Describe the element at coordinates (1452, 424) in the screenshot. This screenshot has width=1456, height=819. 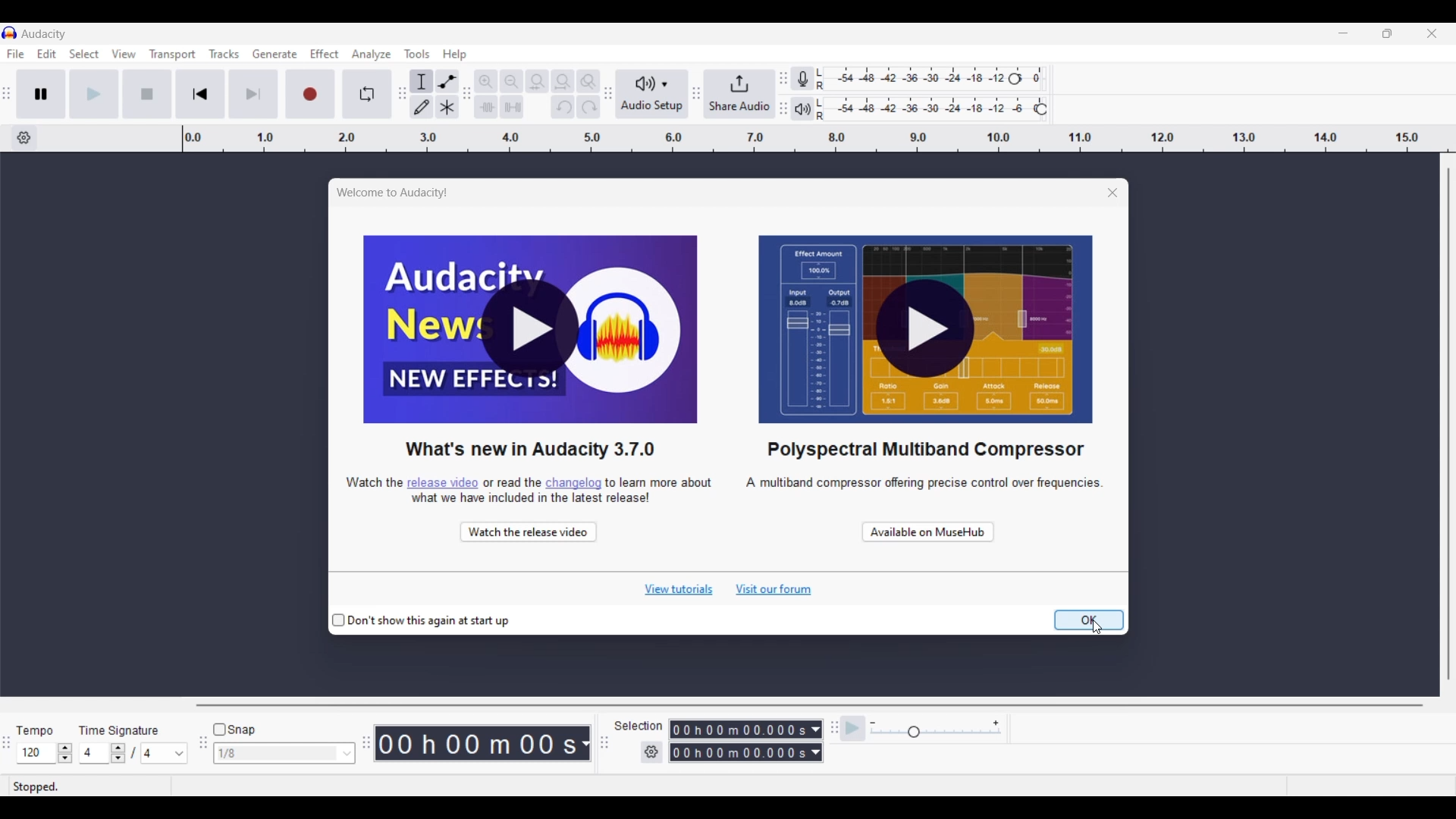
I see `Vertical slide bar` at that location.